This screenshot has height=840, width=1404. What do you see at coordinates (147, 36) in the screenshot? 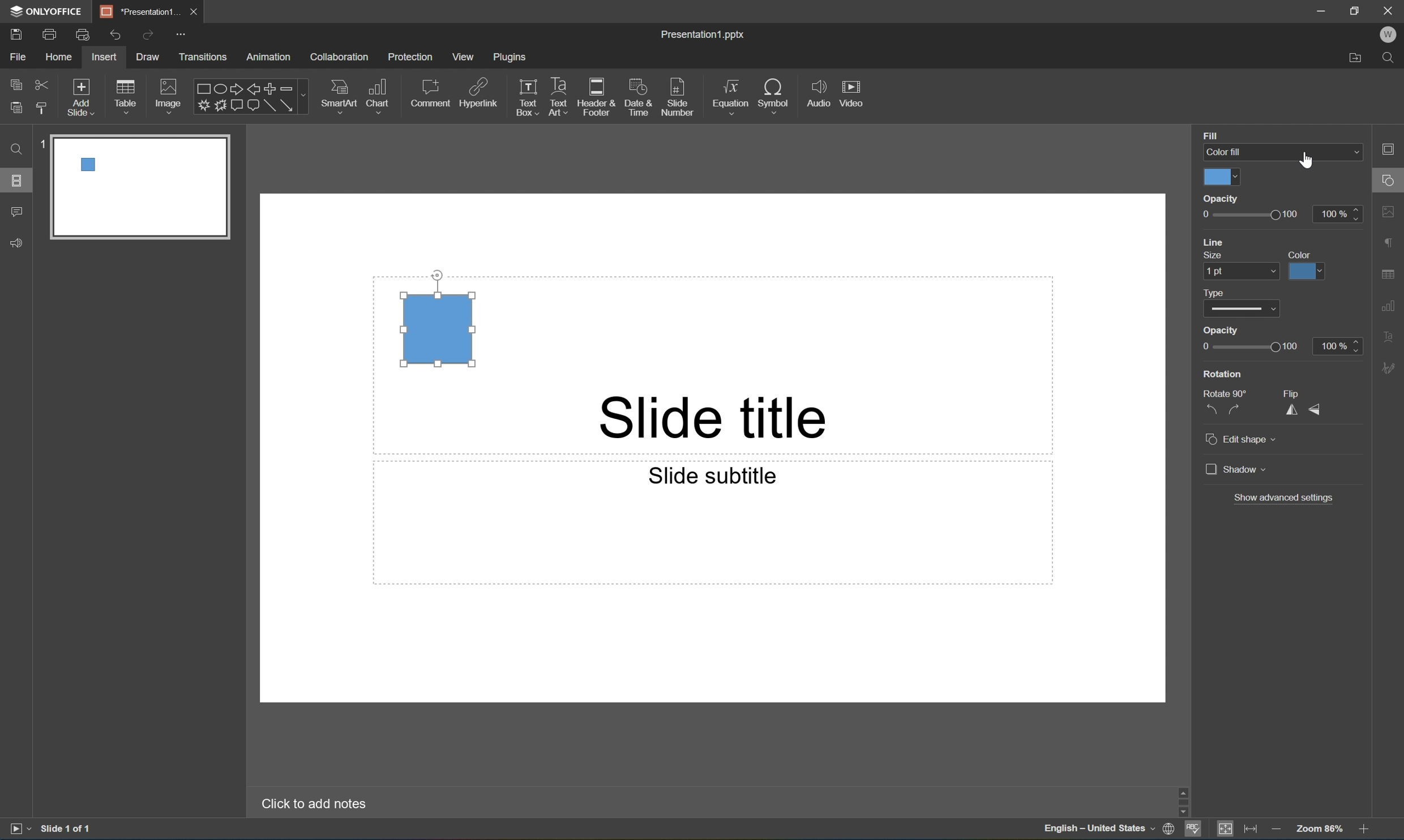
I see `Redo` at bounding box center [147, 36].